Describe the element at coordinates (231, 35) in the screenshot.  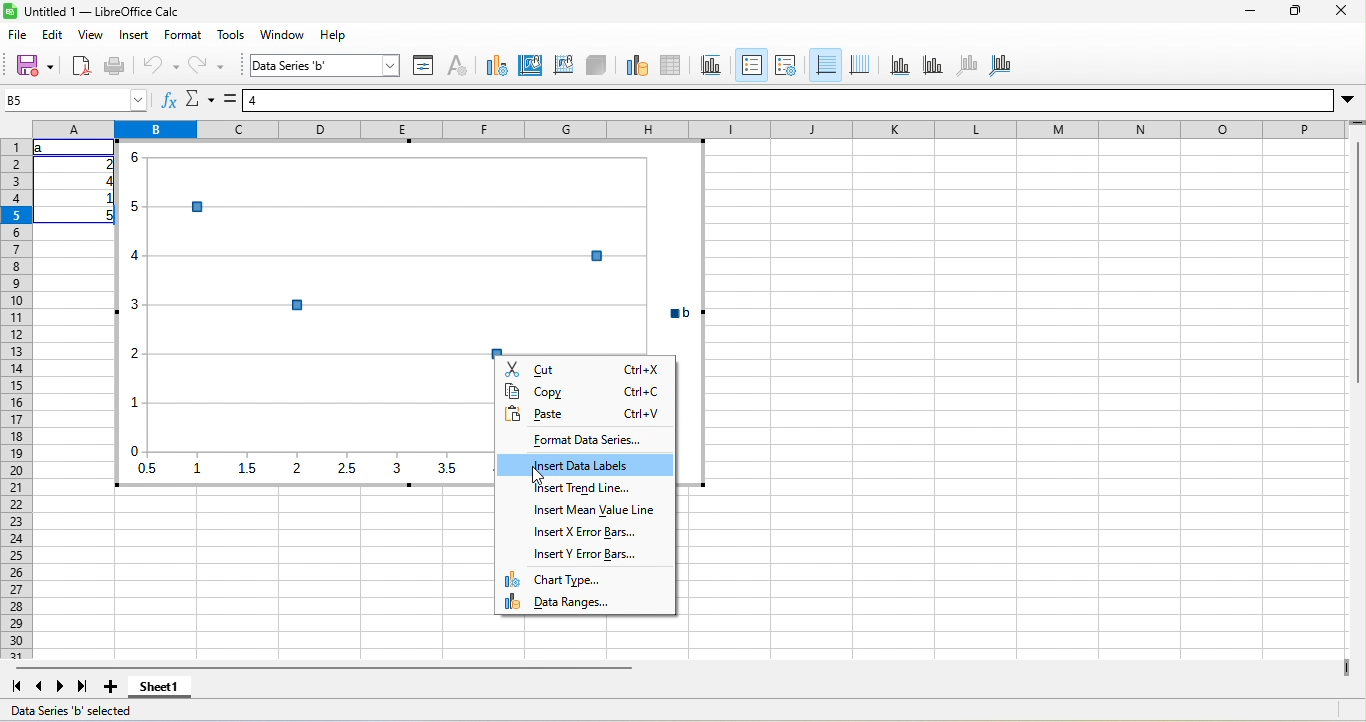
I see `tools` at that location.